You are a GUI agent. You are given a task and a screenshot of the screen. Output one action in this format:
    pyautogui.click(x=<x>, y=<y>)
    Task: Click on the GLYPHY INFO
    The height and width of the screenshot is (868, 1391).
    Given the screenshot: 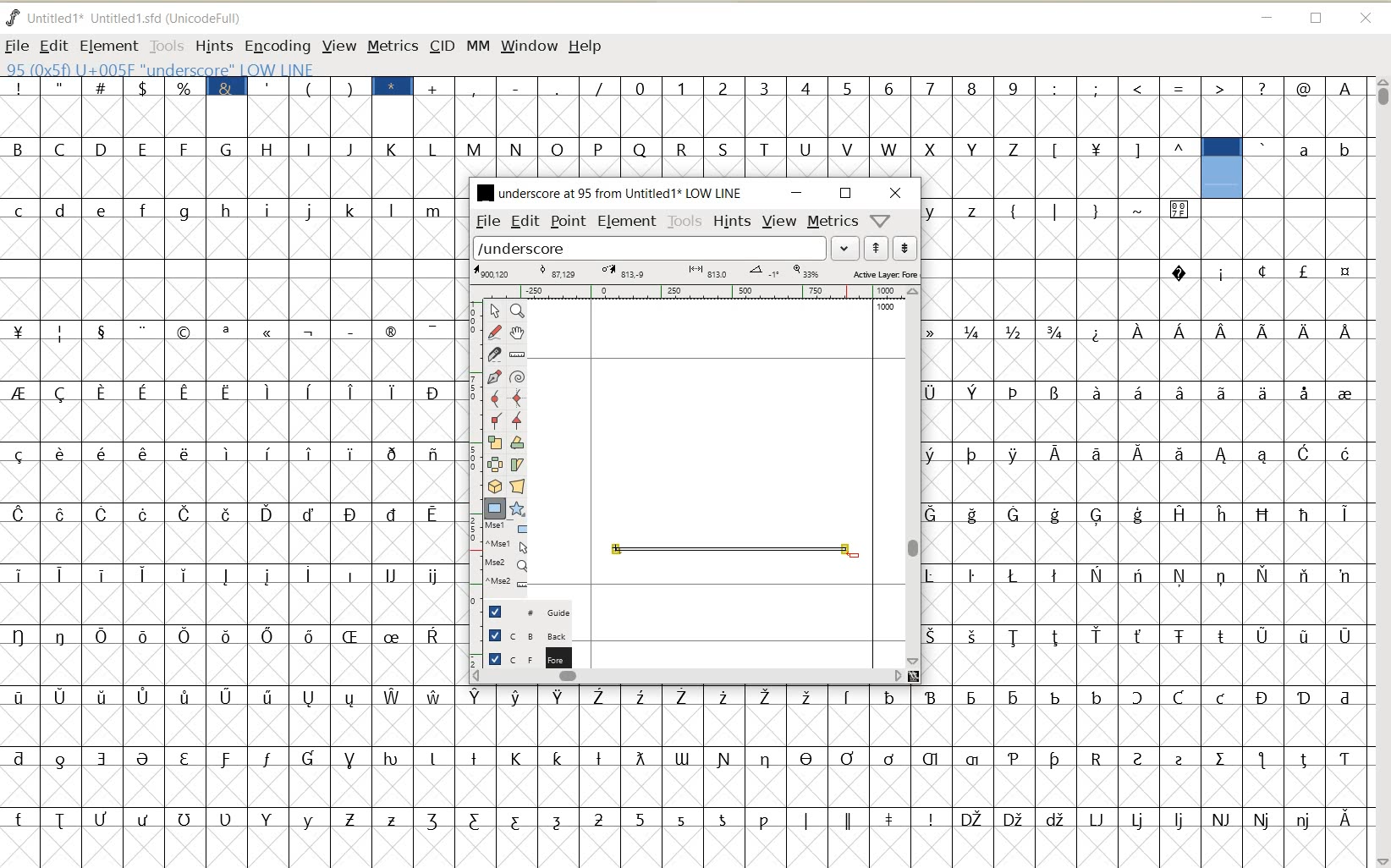 What is the action you would take?
    pyautogui.click(x=264, y=68)
    